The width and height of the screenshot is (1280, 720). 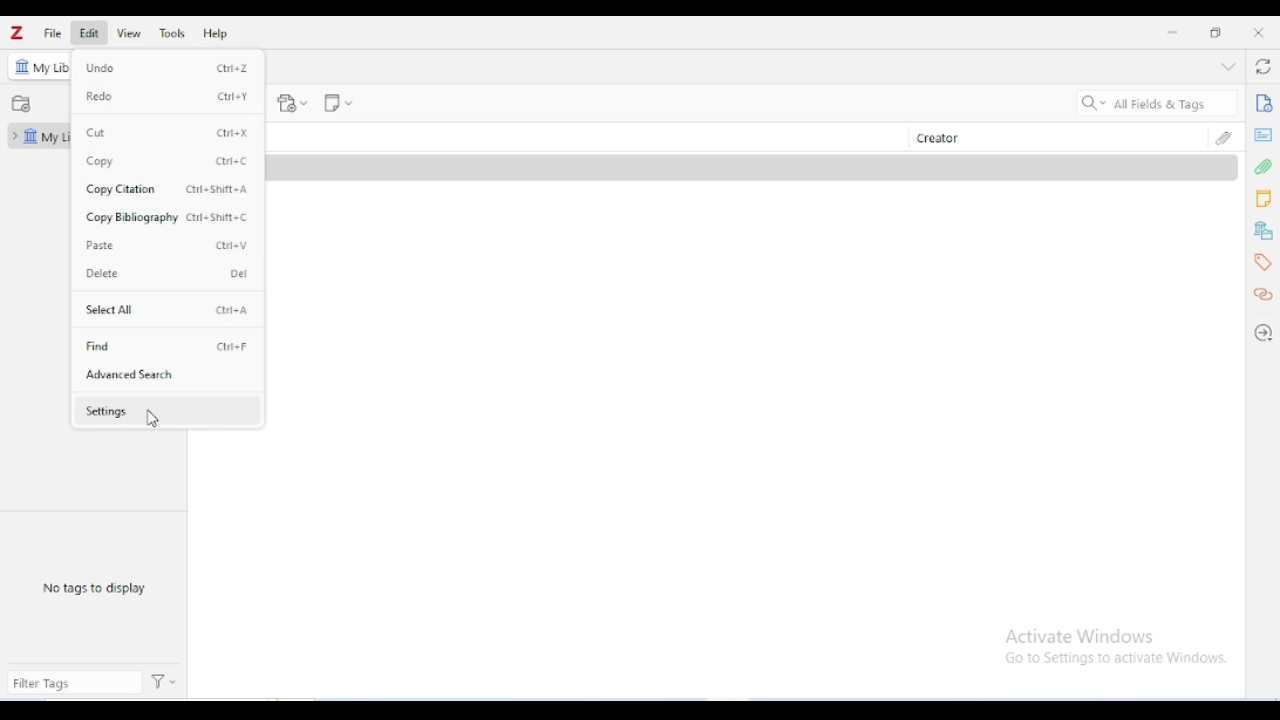 What do you see at coordinates (122, 189) in the screenshot?
I see `copy citation` at bounding box center [122, 189].